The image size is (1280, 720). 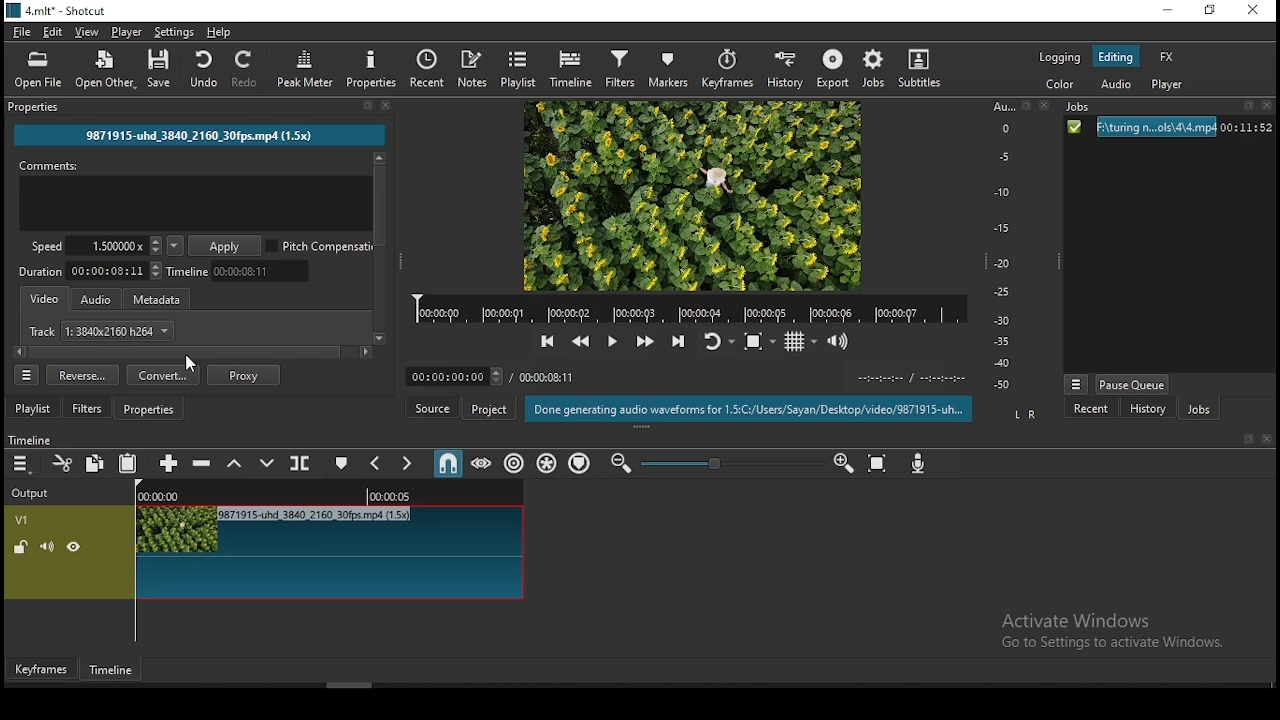 What do you see at coordinates (389, 495) in the screenshot?
I see `00:00:05` at bounding box center [389, 495].